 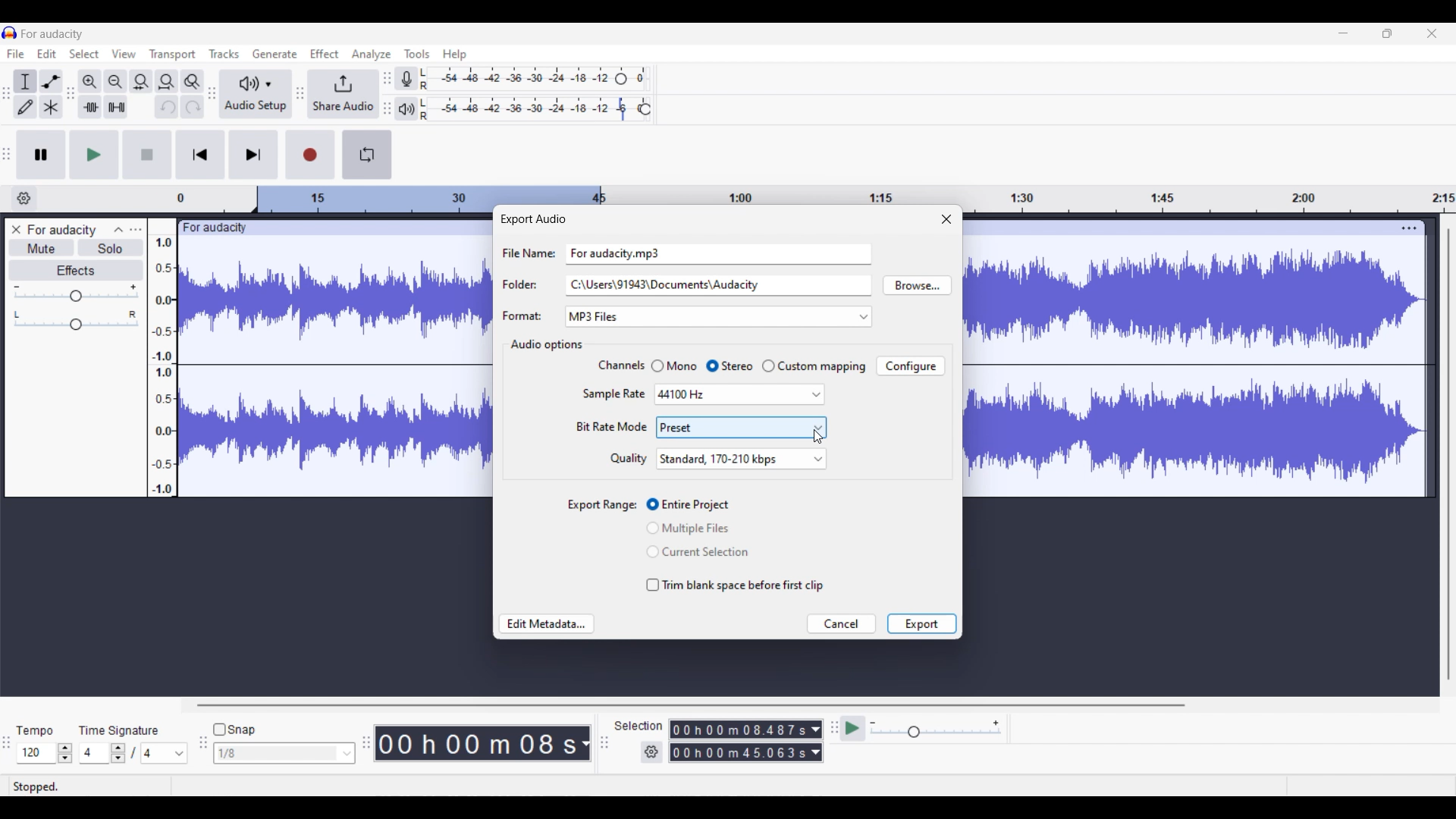 I want to click on Select menu, so click(x=84, y=54).